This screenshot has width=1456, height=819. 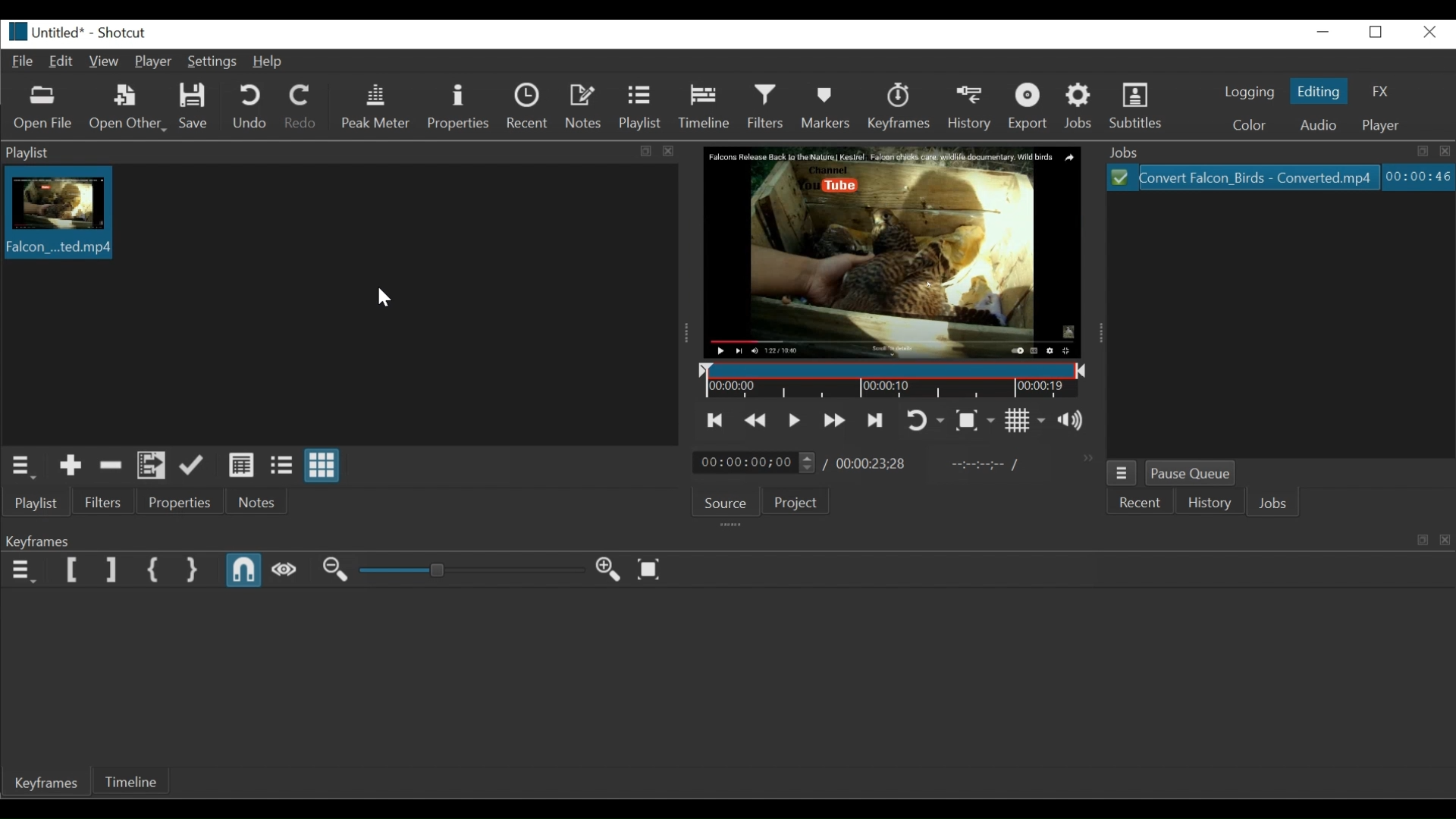 I want to click on Shotcut, so click(x=120, y=31).